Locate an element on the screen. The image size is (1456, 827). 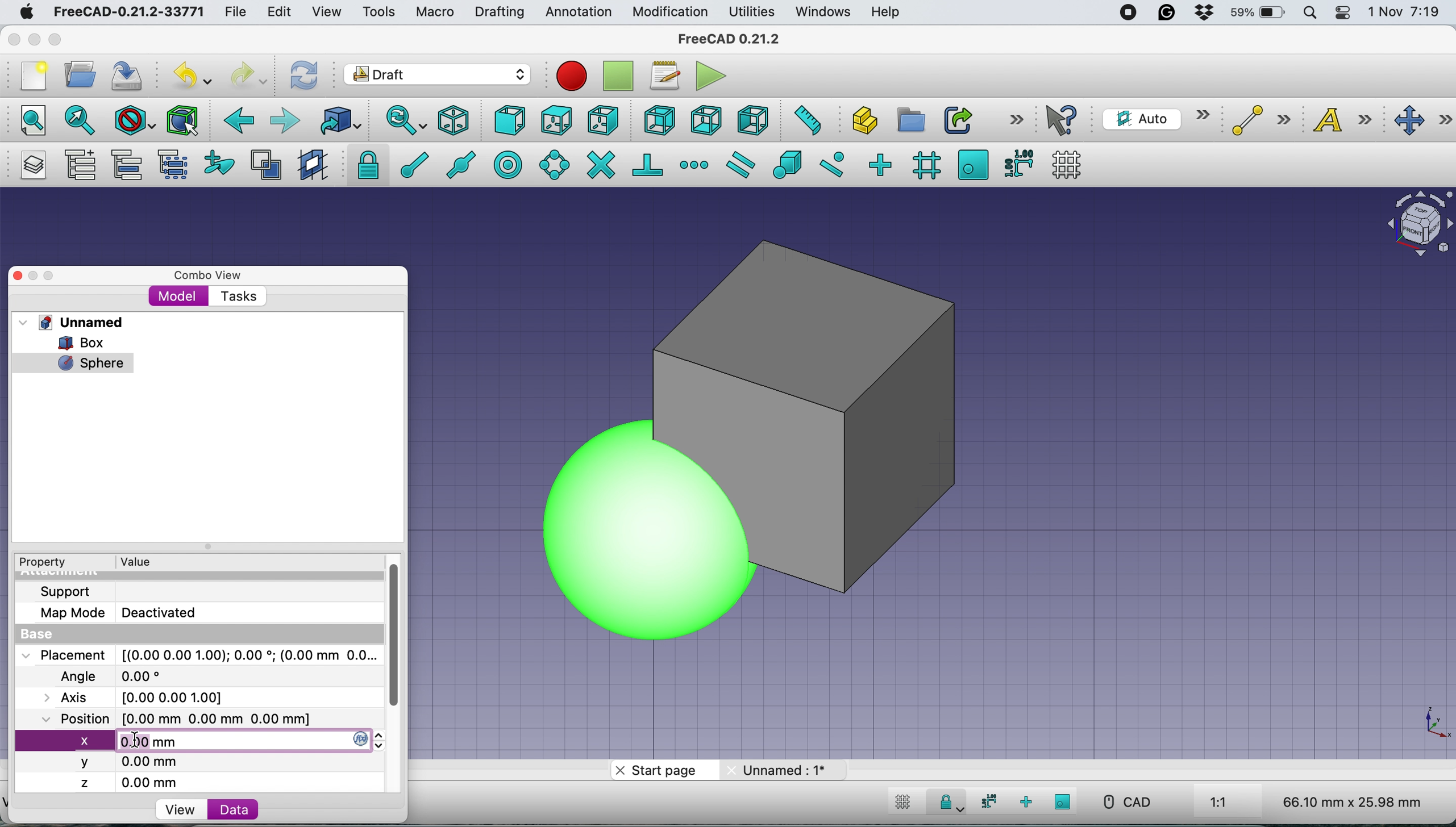
x axis chosen is located at coordinates (207, 740).